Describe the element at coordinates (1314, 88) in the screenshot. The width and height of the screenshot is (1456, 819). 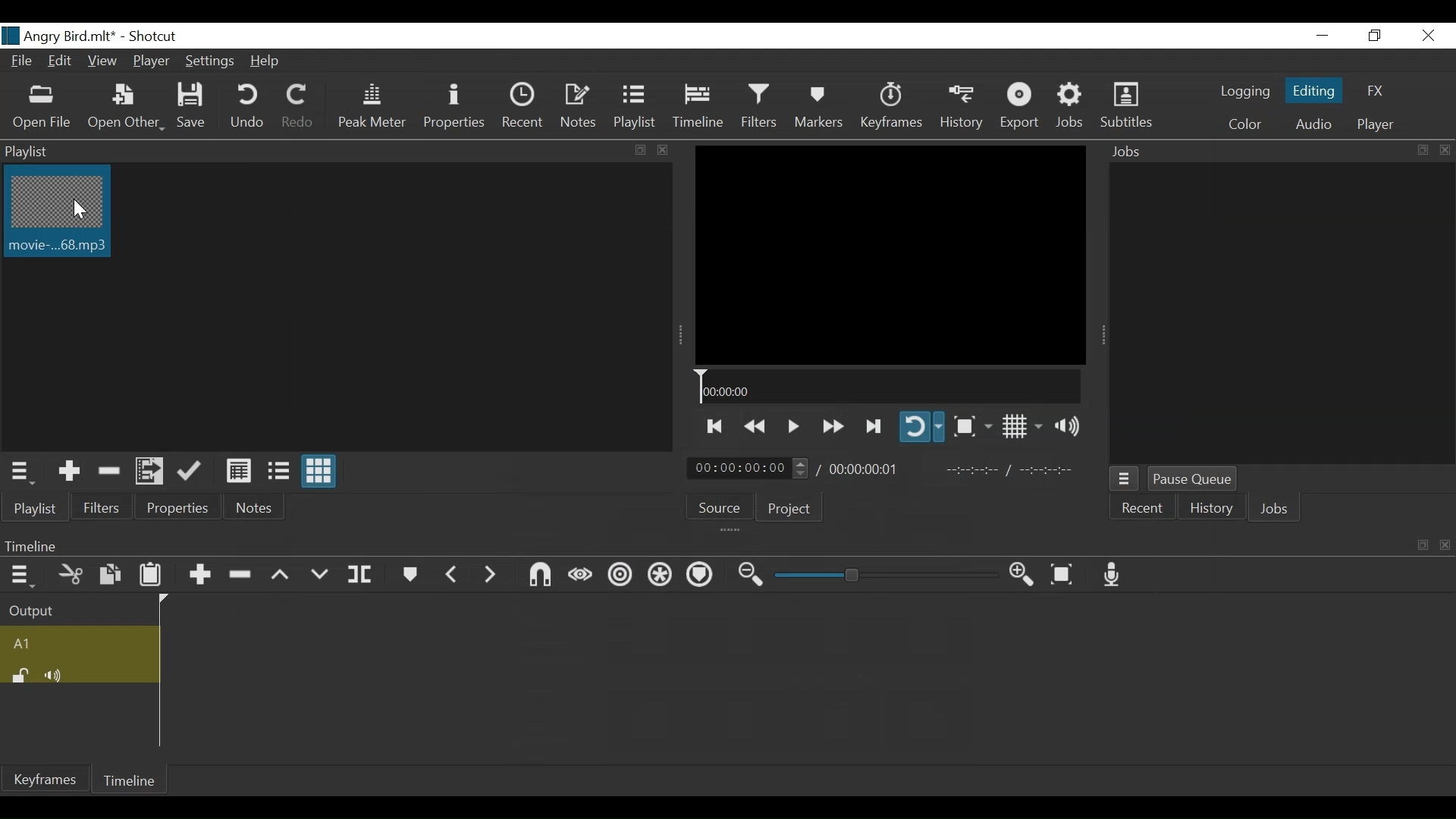
I see `Editing` at that location.